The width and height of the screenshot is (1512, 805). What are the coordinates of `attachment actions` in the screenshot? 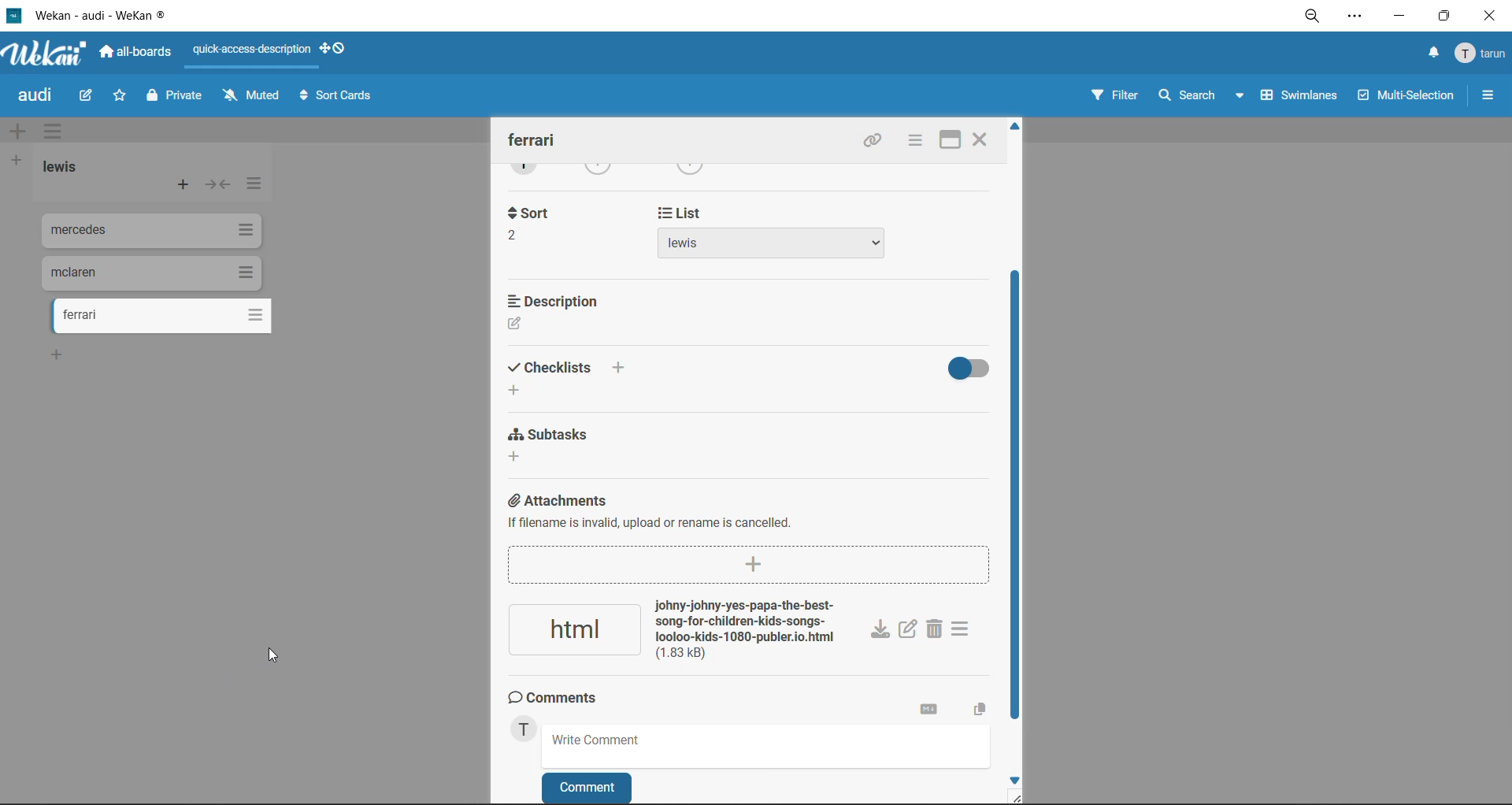 It's located at (964, 629).